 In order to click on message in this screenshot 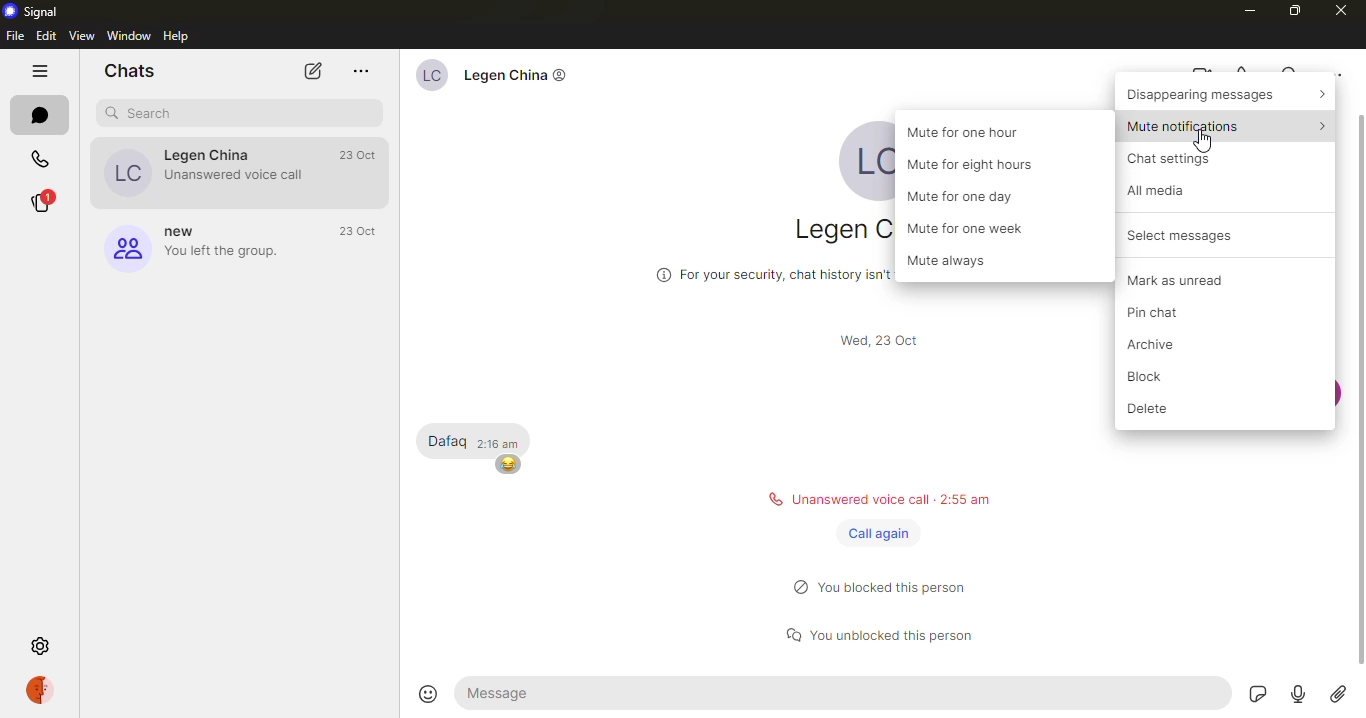, I will do `click(447, 440)`.